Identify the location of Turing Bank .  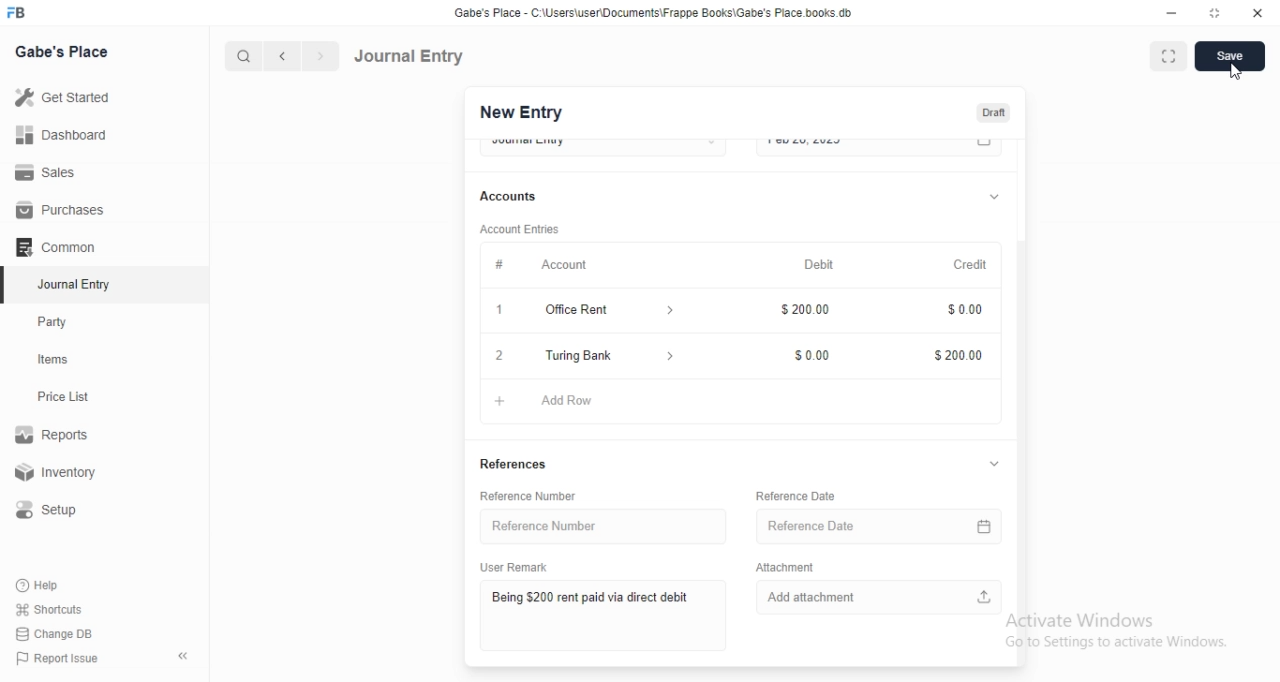
(608, 355).